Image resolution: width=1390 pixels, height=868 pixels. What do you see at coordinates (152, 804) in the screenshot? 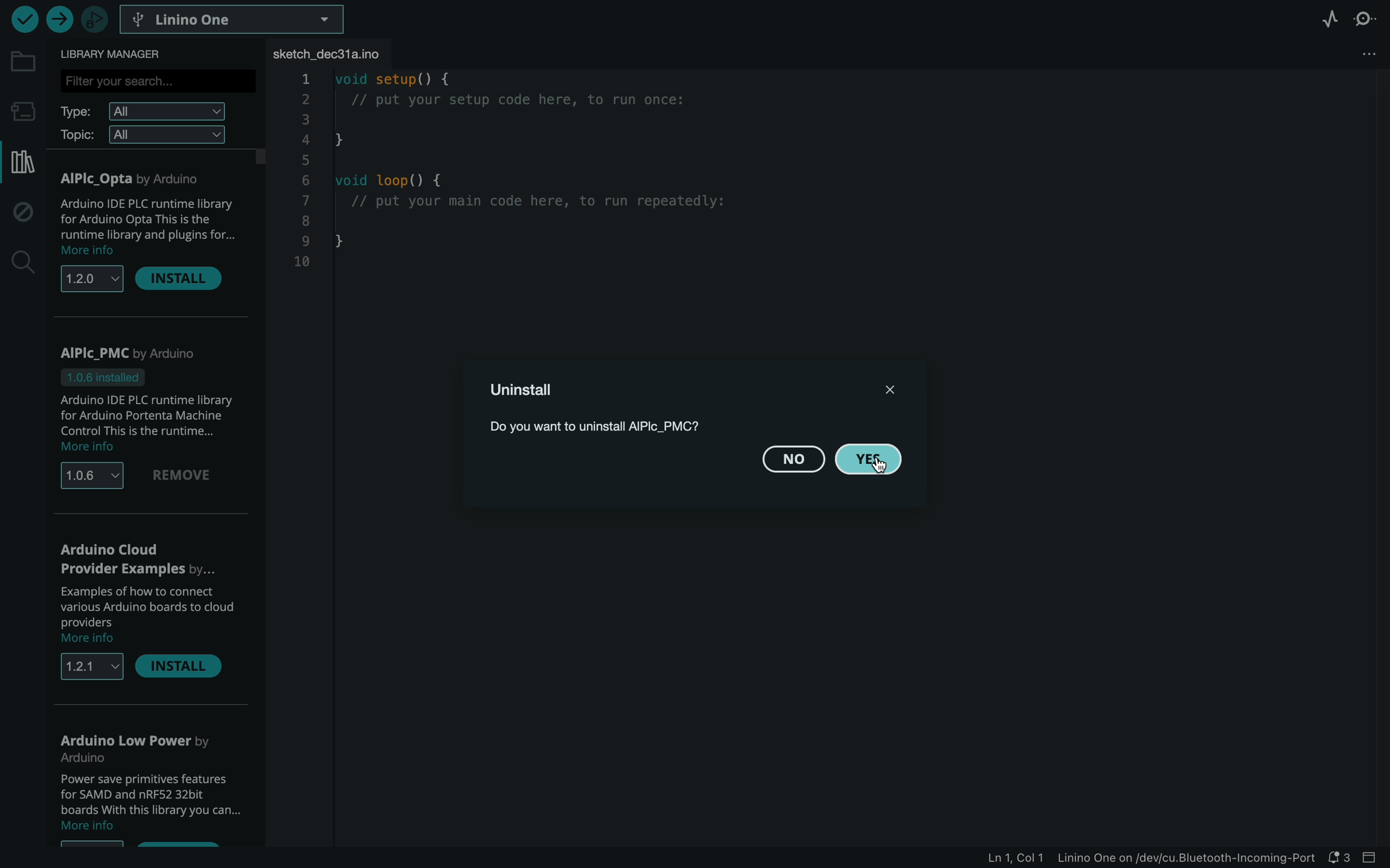
I see `description` at bounding box center [152, 804].